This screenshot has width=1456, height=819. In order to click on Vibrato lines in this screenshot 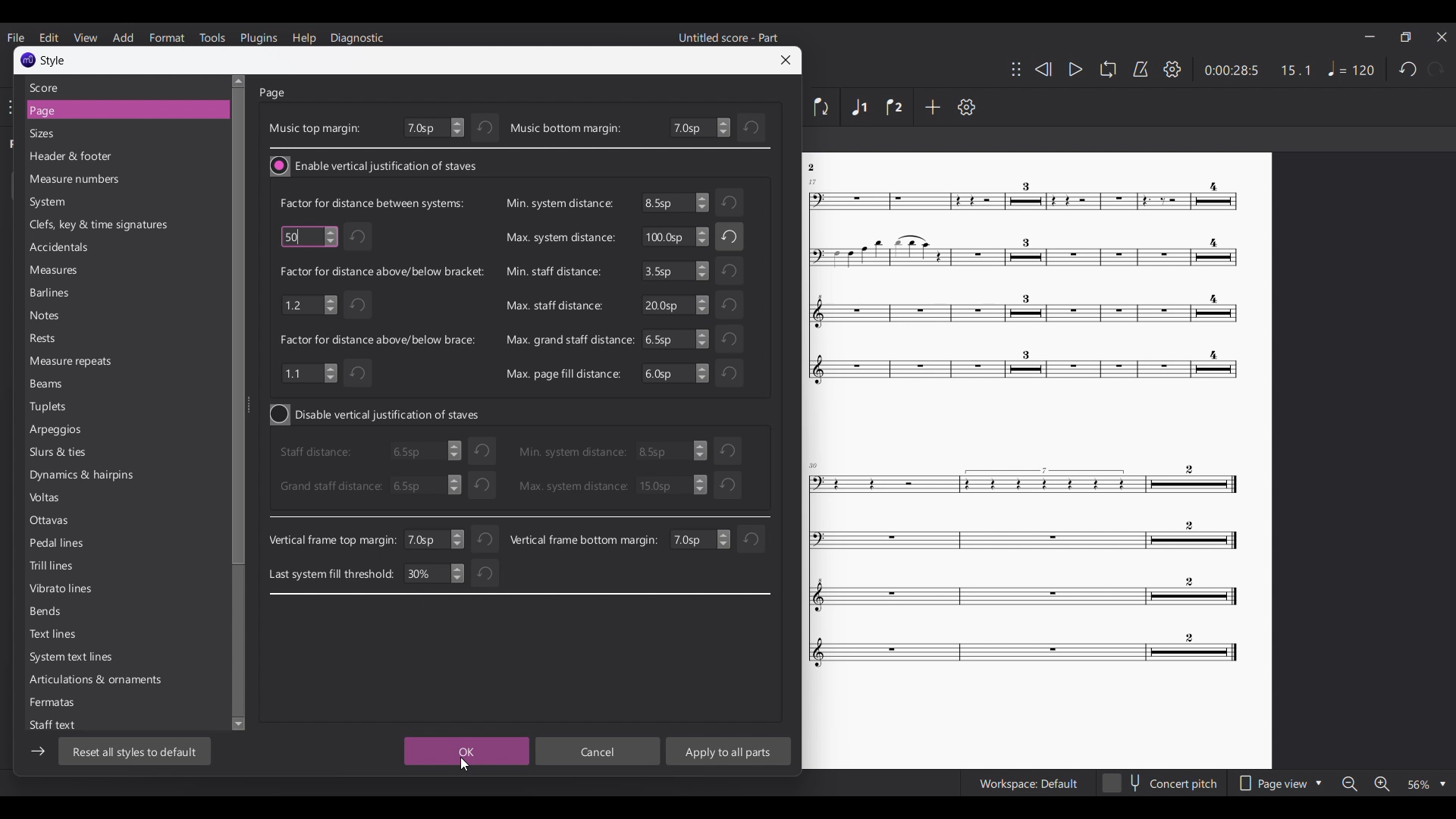, I will do `click(82, 591)`.